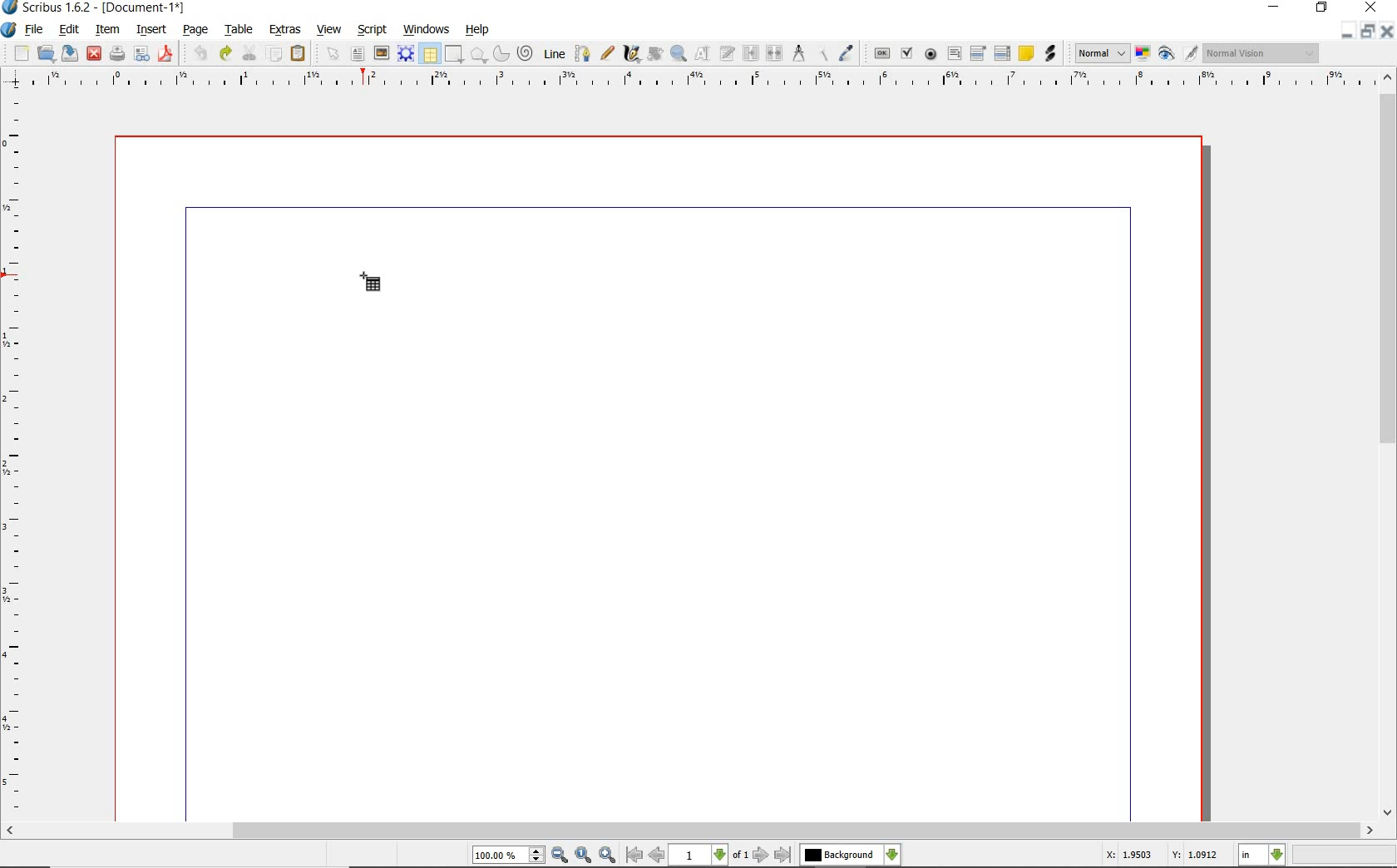 This screenshot has width=1397, height=868. Describe the element at coordinates (200, 53) in the screenshot. I see `undo` at that location.